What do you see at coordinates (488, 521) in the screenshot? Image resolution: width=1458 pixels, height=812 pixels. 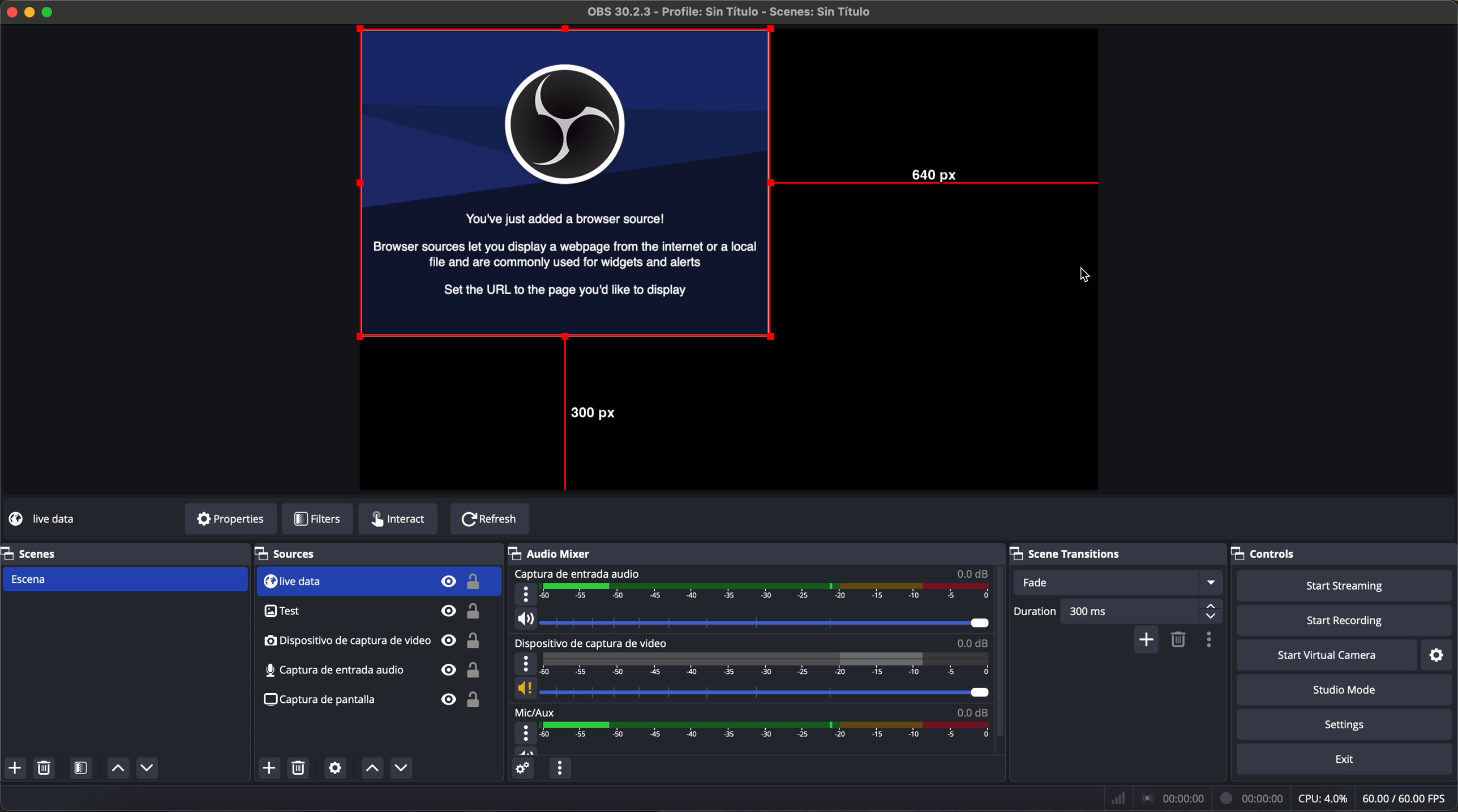 I see `refresh` at bounding box center [488, 521].